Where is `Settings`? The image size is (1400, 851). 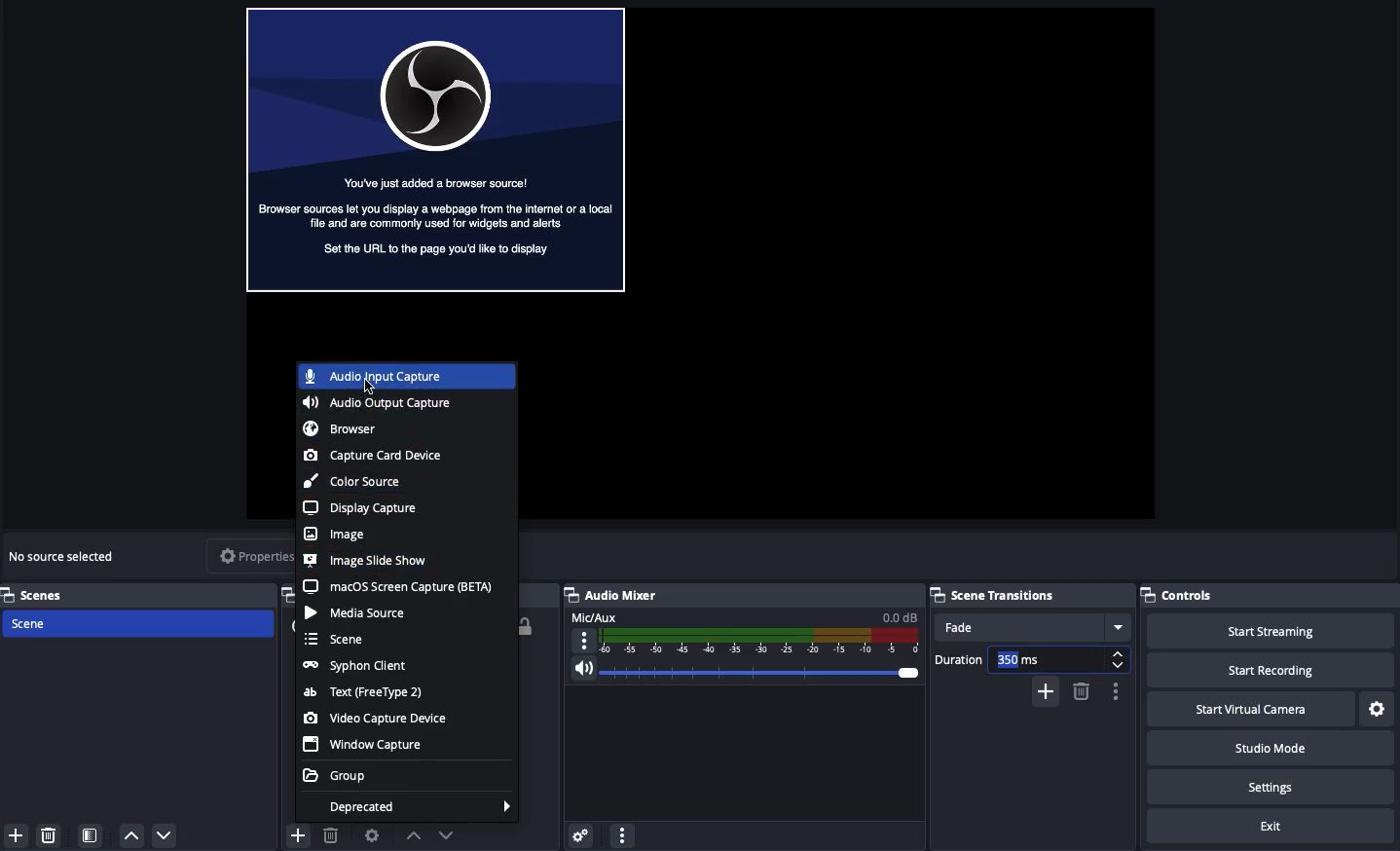 Settings is located at coordinates (1271, 788).